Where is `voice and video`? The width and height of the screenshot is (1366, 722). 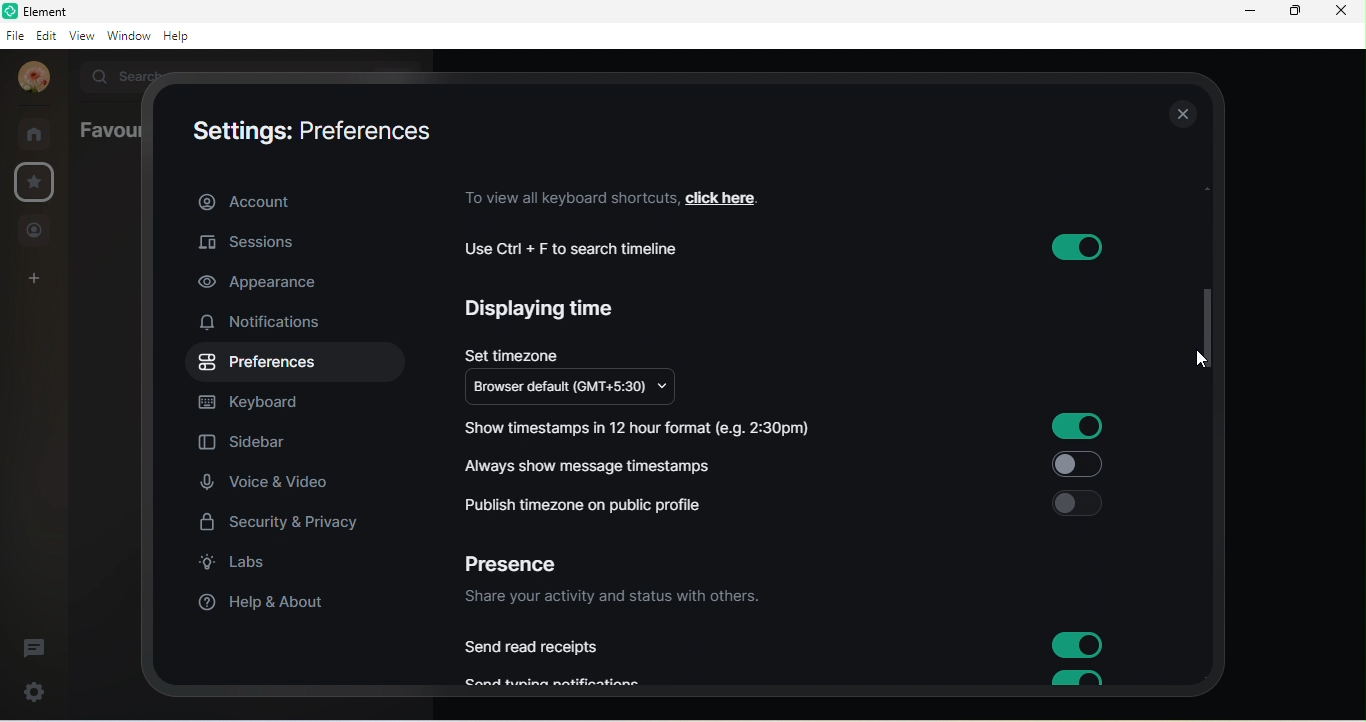 voice and video is located at coordinates (271, 484).